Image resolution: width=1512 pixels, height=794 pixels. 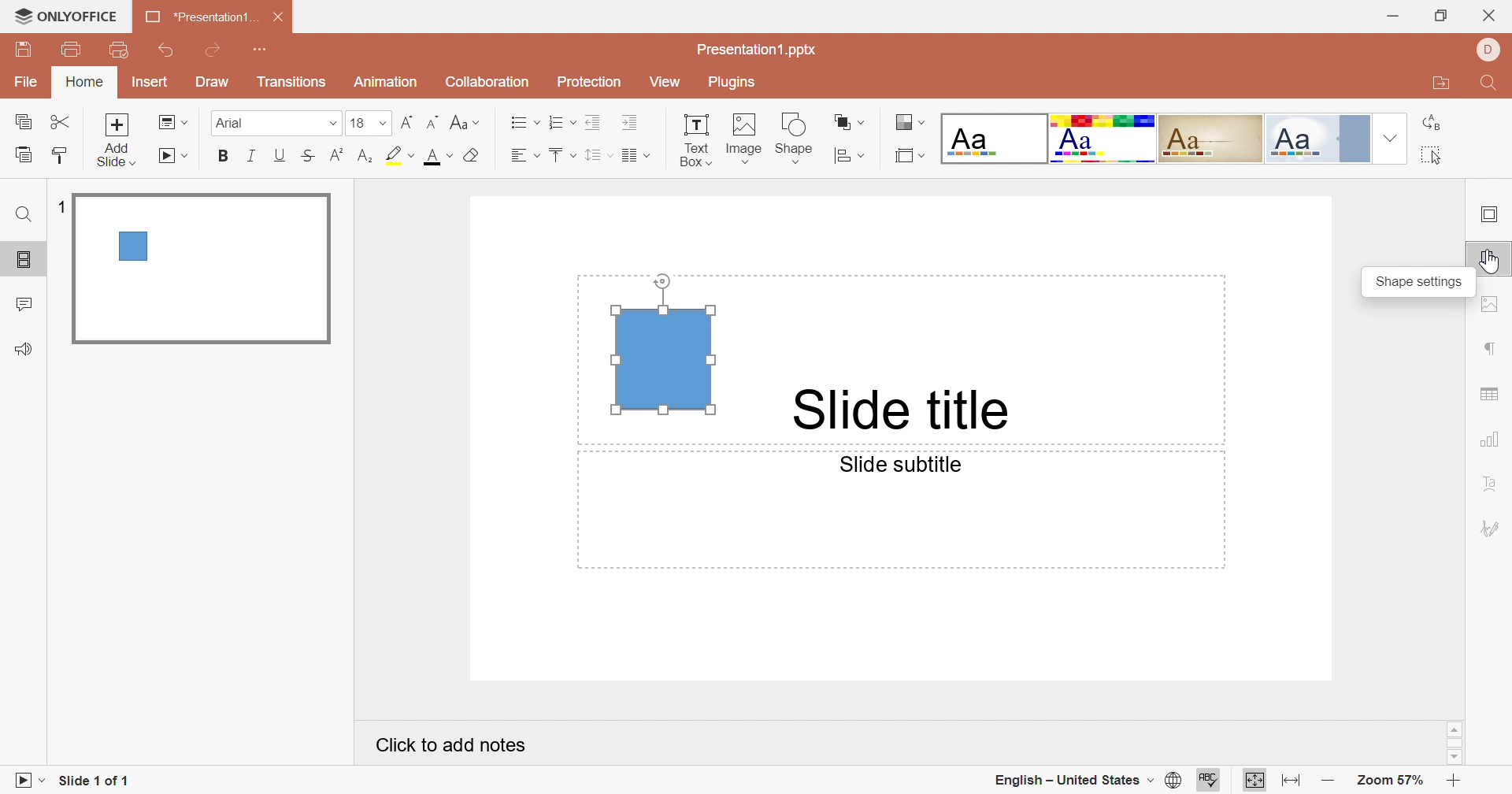 What do you see at coordinates (1453, 779) in the screenshot?
I see `Zoom in` at bounding box center [1453, 779].